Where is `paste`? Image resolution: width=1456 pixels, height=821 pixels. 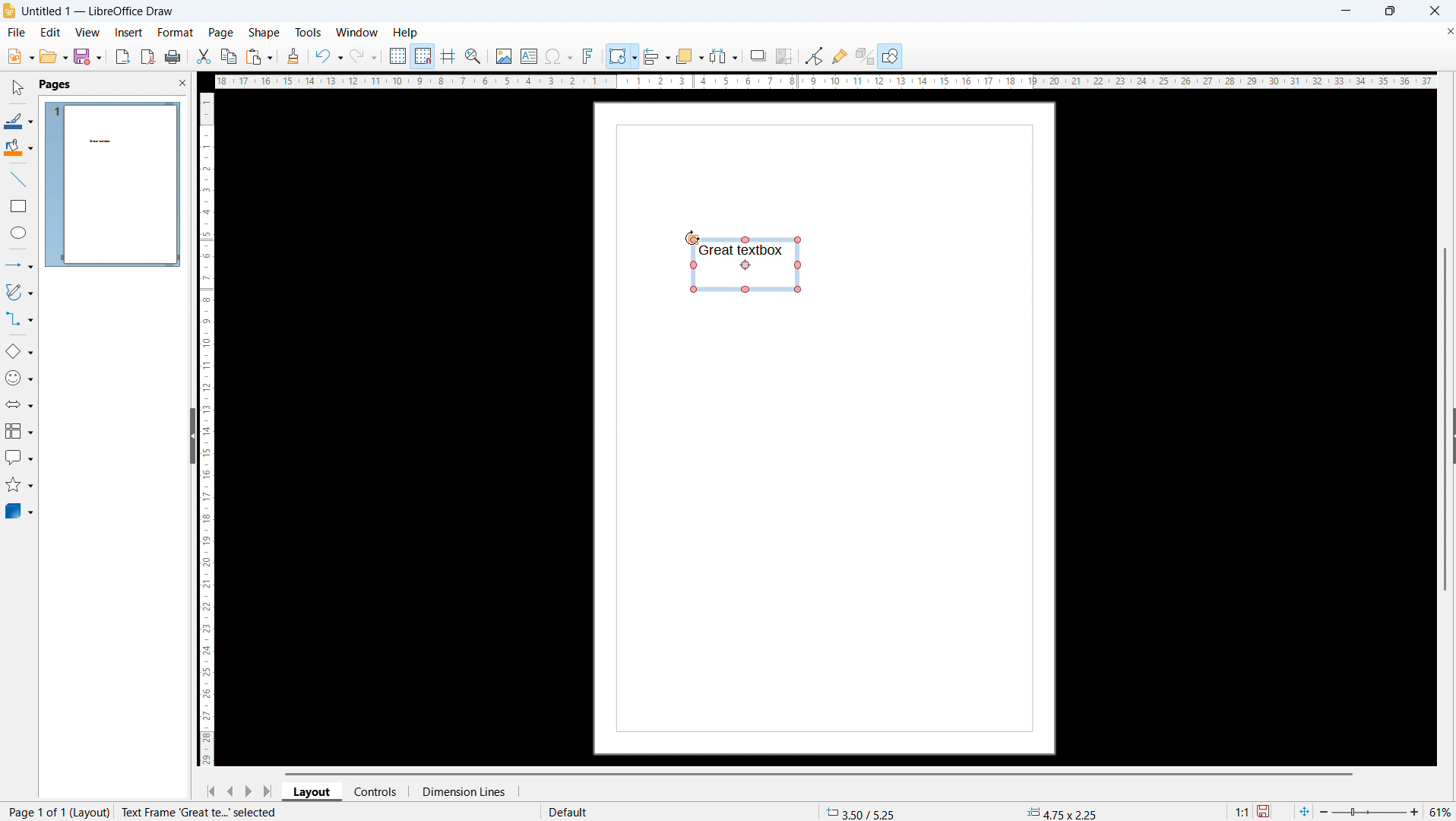
paste is located at coordinates (258, 57).